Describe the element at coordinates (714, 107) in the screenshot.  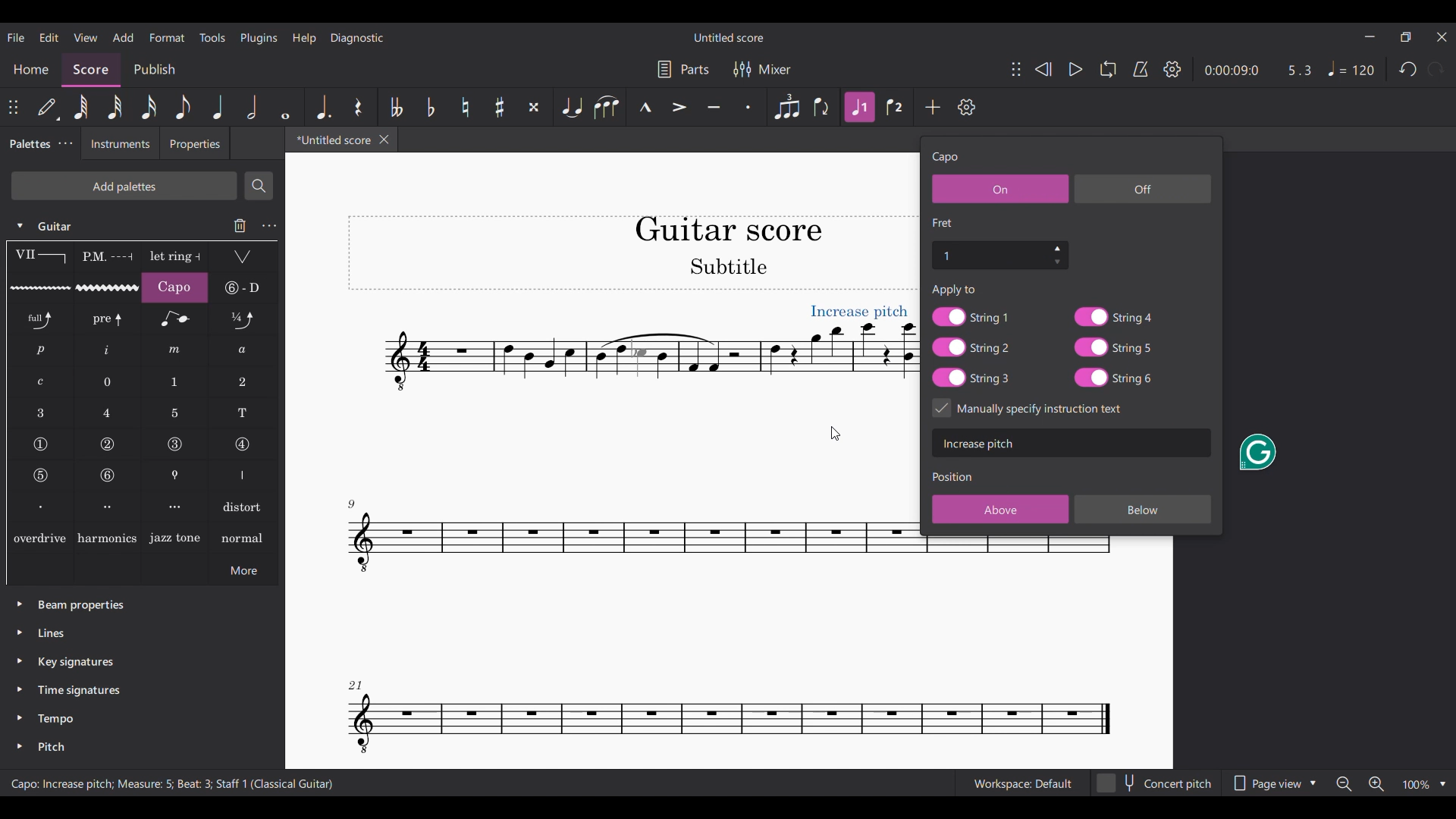
I see `Tenuto` at that location.